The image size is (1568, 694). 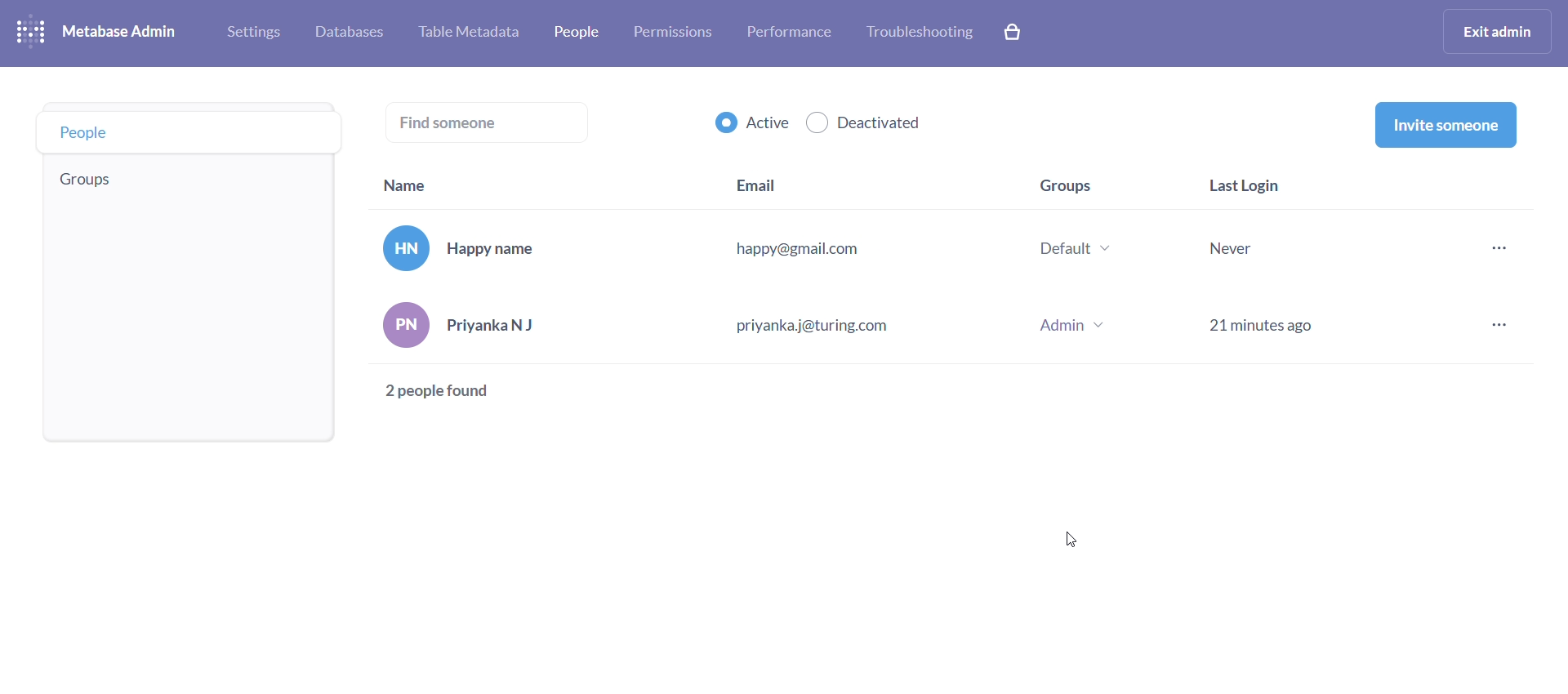 What do you see at coordinates (1256, 185) in the screenshot?
I see `last login` at bounding box center [1256, 185].